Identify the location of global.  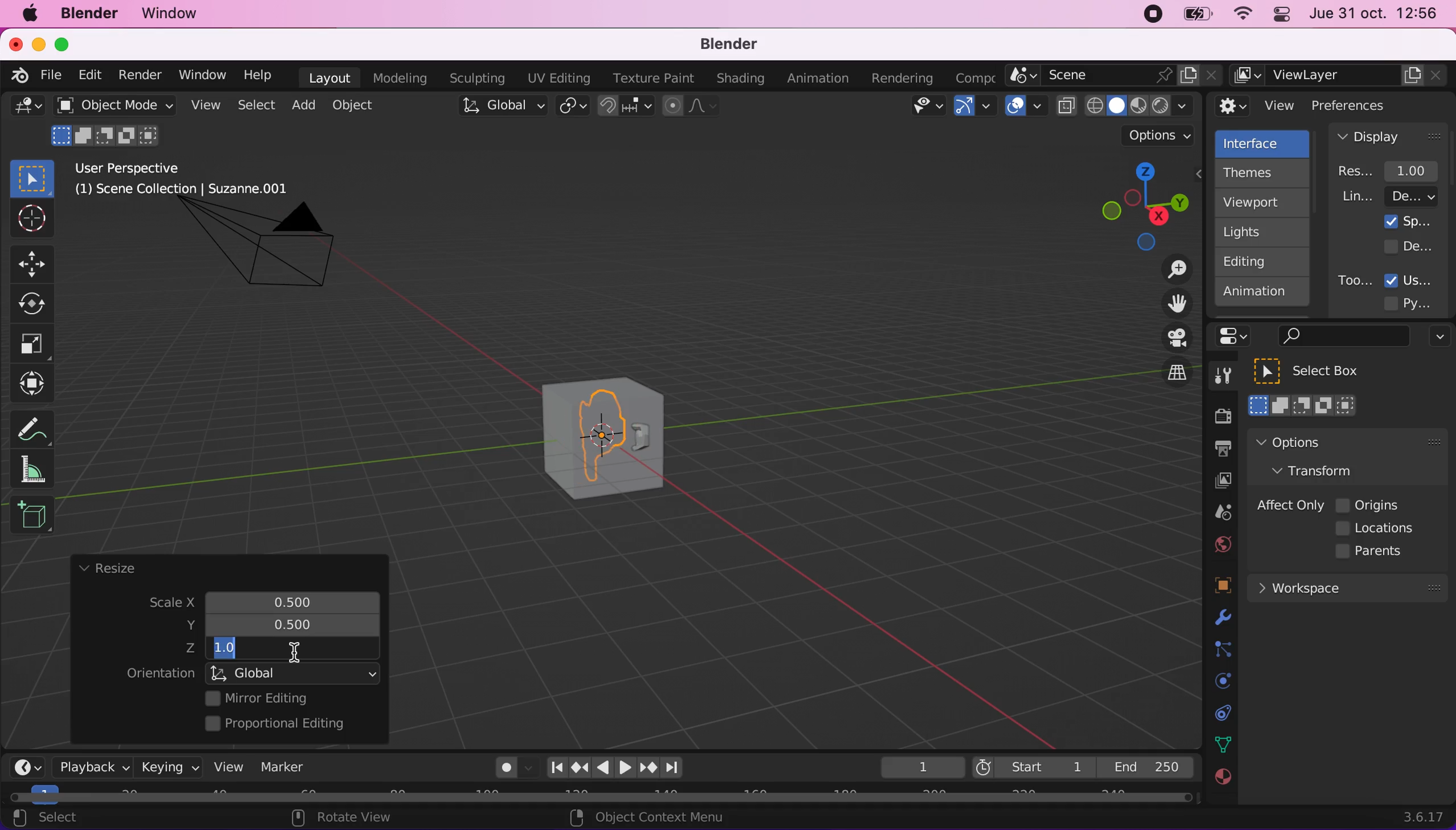
(500, 108).